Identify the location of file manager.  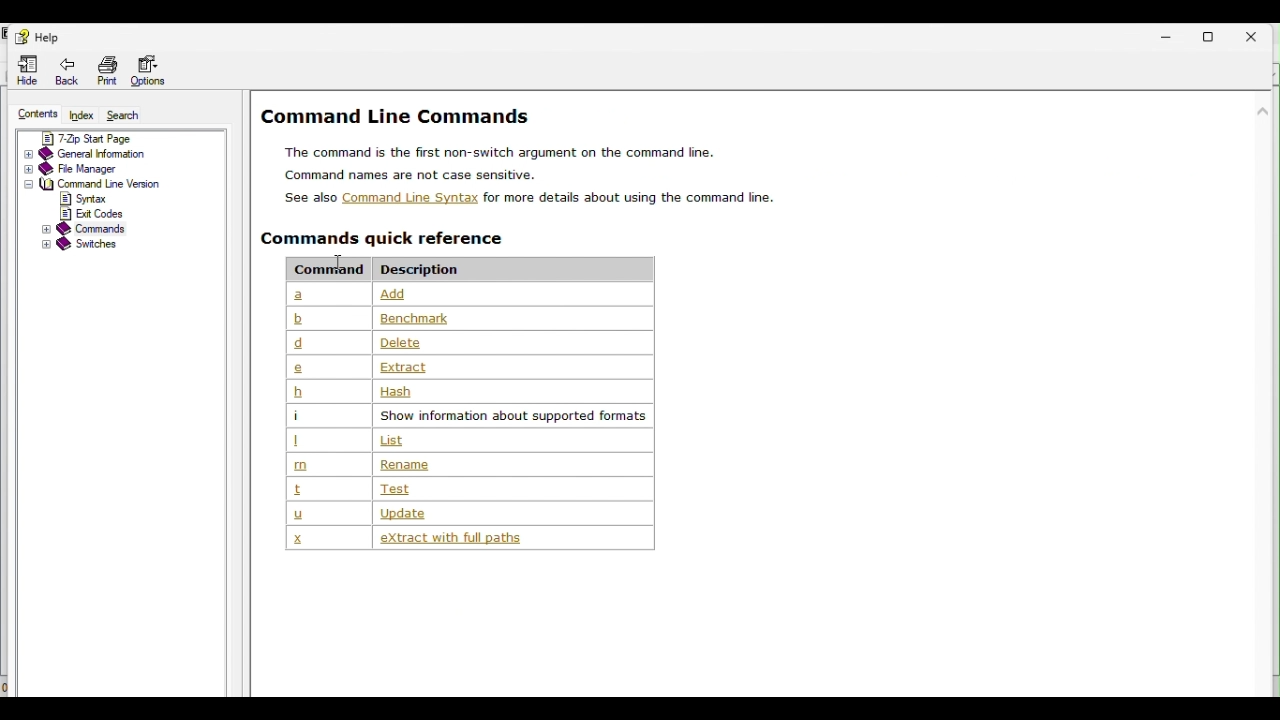
(99, 168).